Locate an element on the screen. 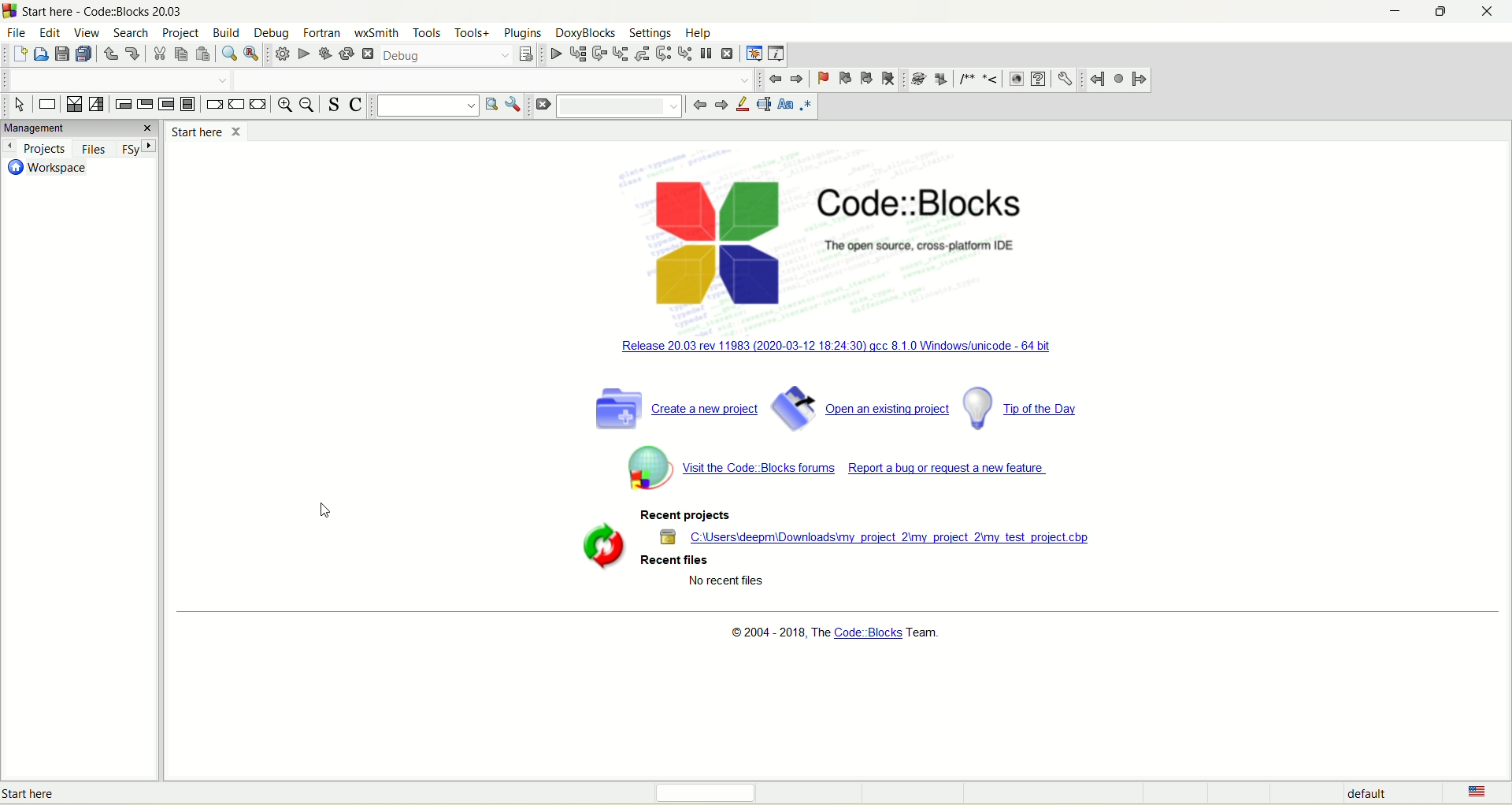  paste is located at coordinates (204, 54).